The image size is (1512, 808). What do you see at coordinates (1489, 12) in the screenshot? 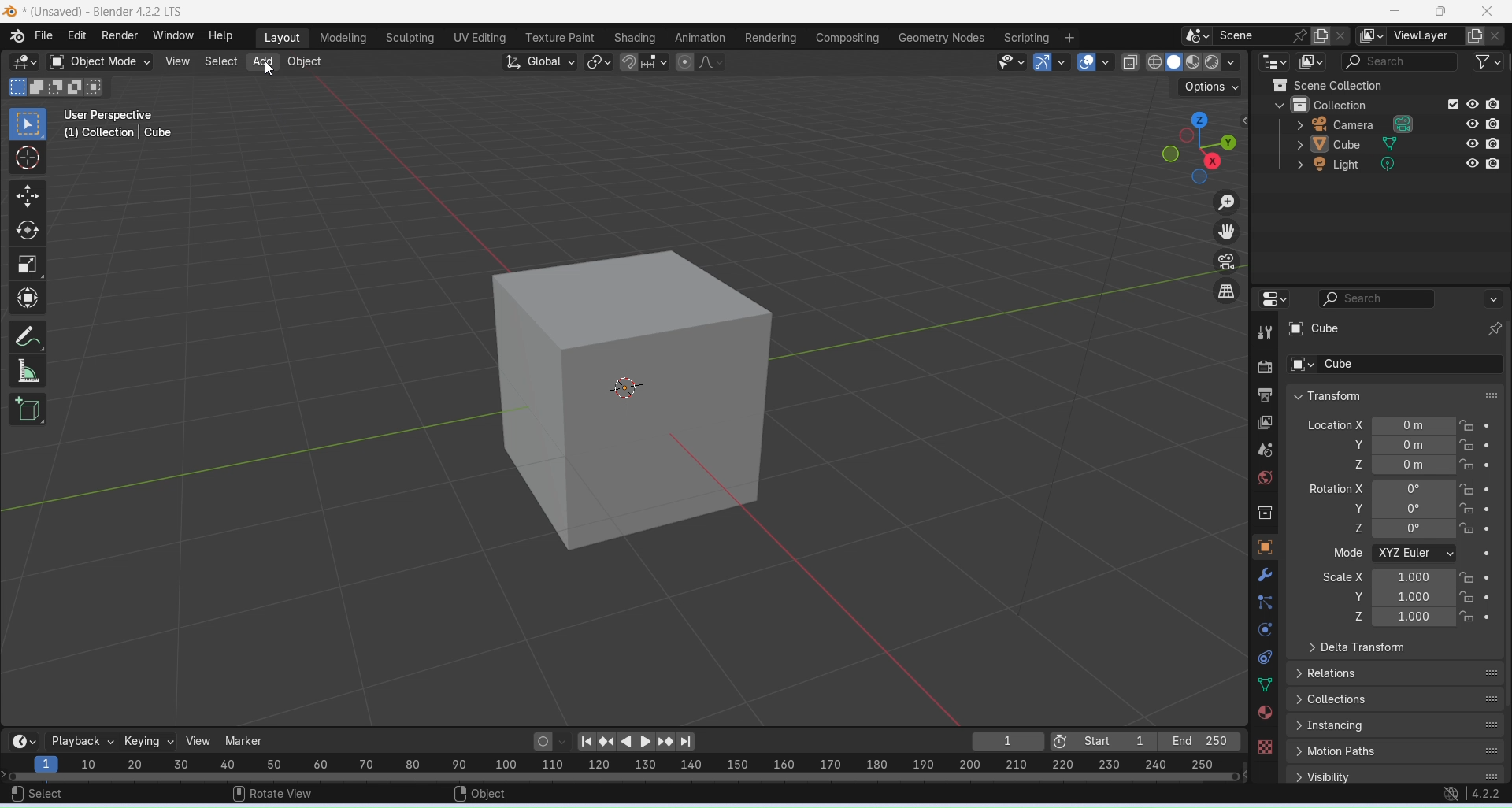
I see `Close` at bounding box center [1489, 12].